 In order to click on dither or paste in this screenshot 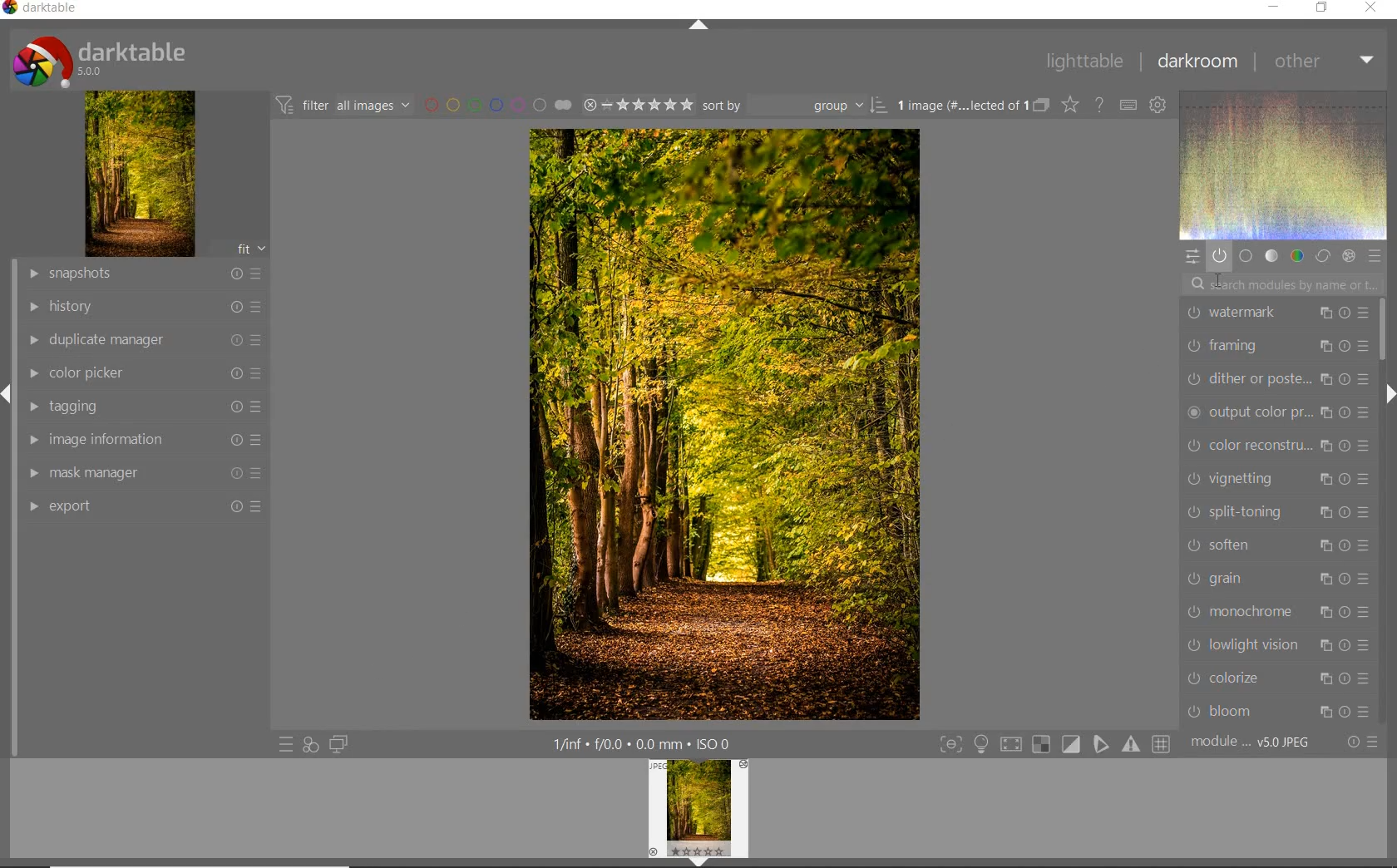, I will do `click(1277, 380)`.